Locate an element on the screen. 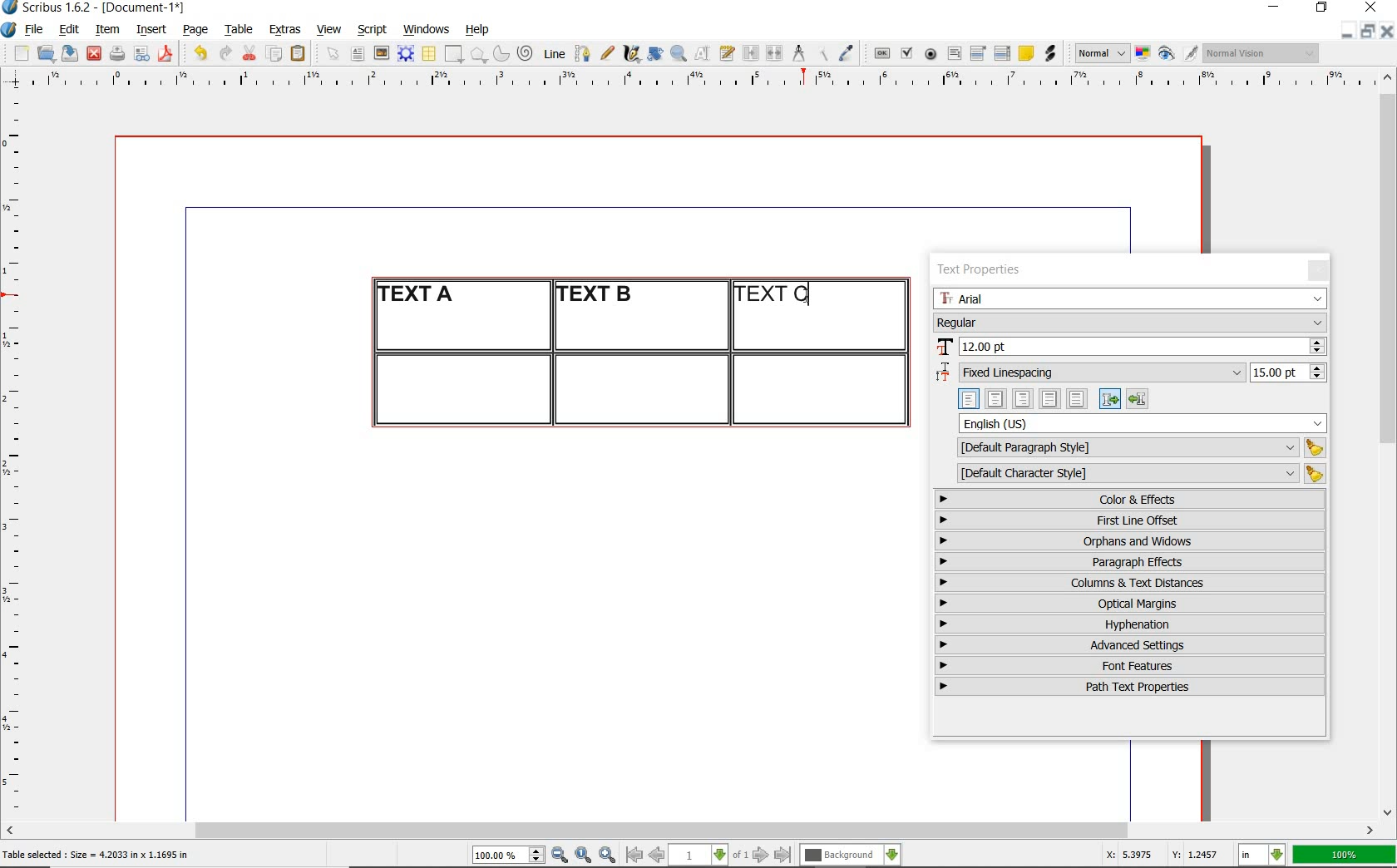 This screenshot has width=1397, height=868. default character style is located at coordinates (1136, 474).